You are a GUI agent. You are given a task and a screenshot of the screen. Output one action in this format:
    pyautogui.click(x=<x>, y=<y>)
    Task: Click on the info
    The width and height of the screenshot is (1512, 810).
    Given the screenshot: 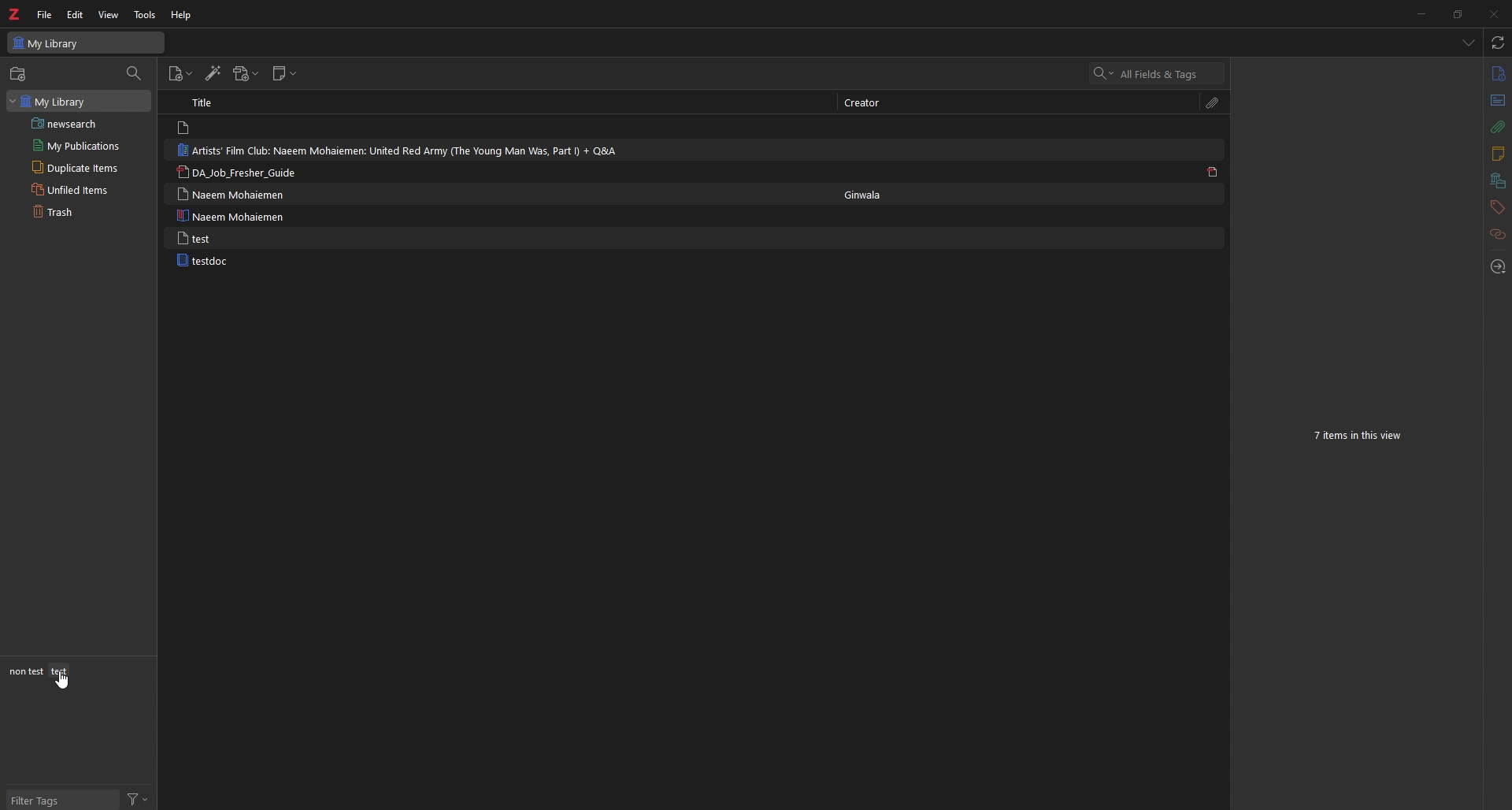 What is the action you would take?
    pyautogui.click(x=1498, y=74)
    